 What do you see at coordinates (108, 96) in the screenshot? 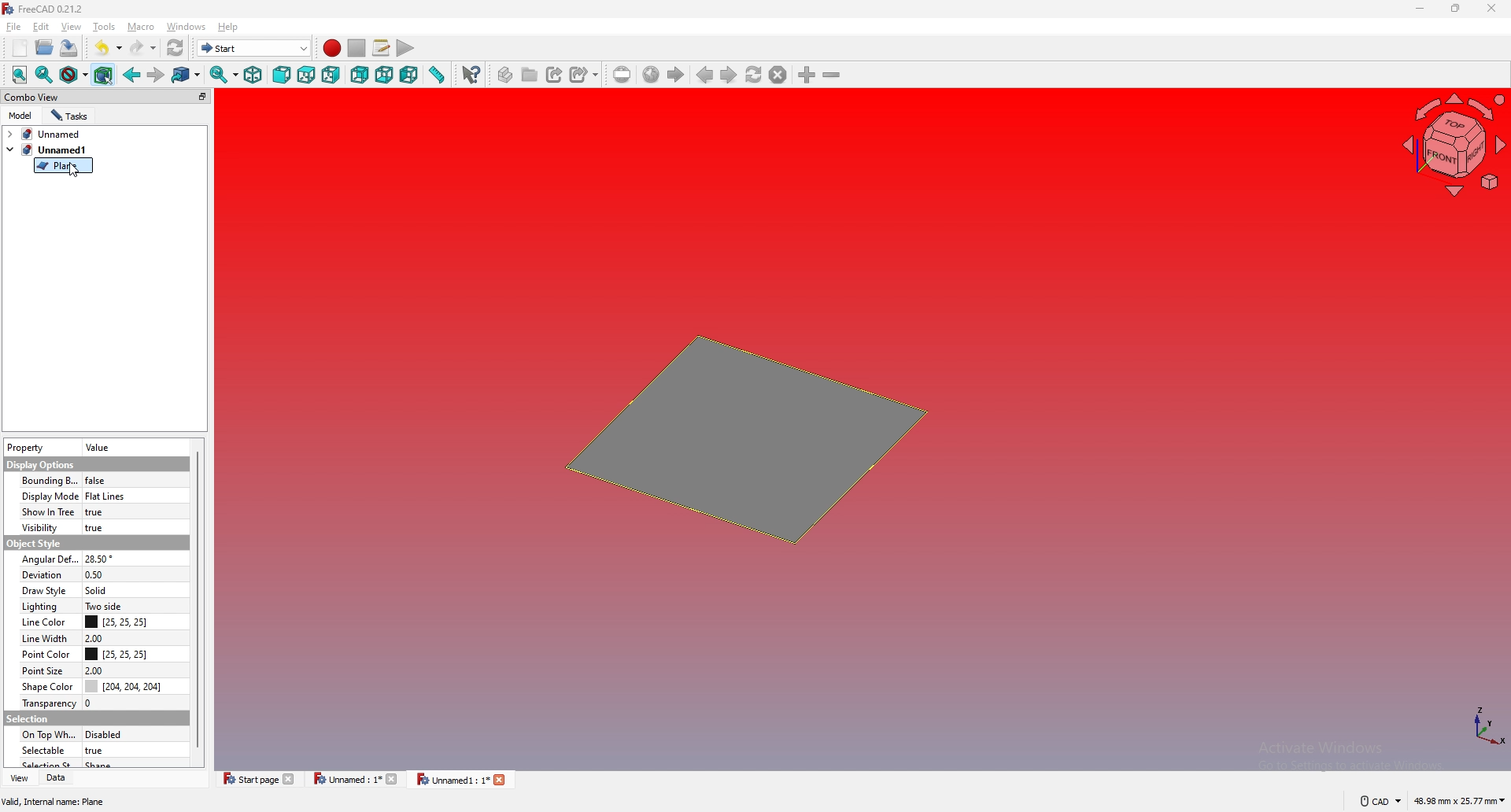
I see `combo view` at bounding box center [108, 96].